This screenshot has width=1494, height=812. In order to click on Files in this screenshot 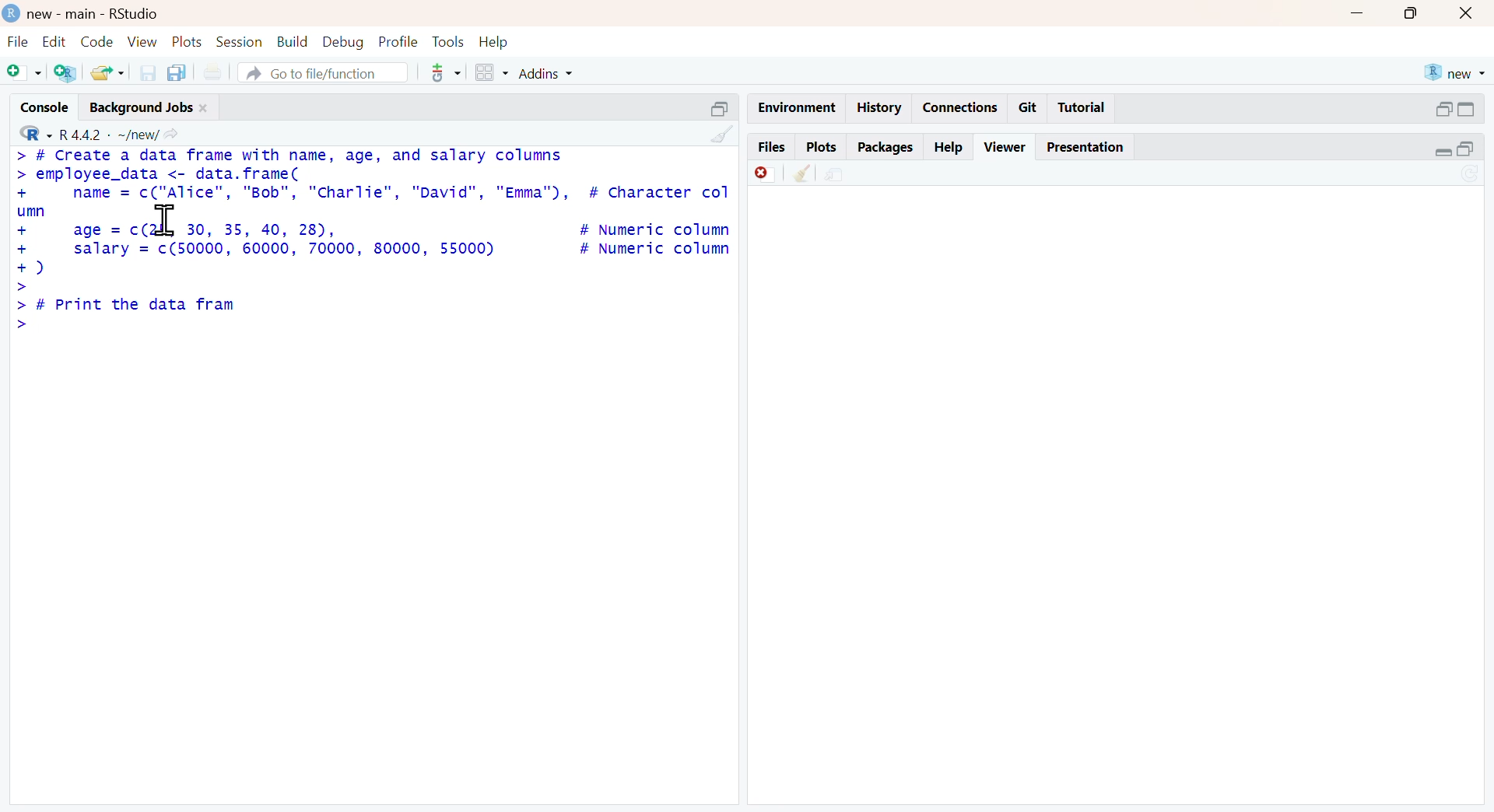, I will do `click(772, 147)`.